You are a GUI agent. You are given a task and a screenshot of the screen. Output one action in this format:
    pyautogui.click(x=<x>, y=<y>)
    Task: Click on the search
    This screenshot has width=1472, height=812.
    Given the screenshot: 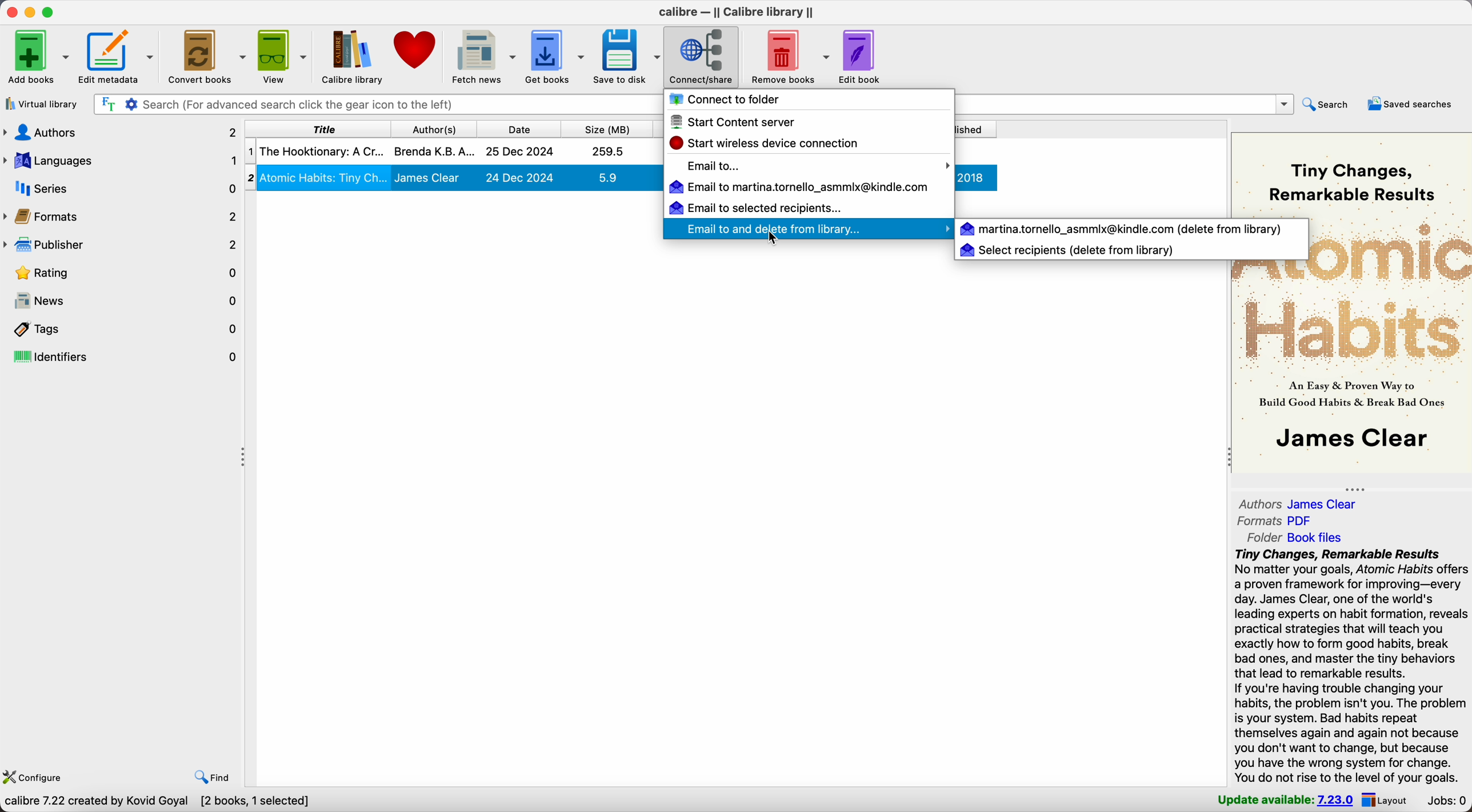 What is the action you would take?
    pyautogui.click(x=1330, y=105)
    